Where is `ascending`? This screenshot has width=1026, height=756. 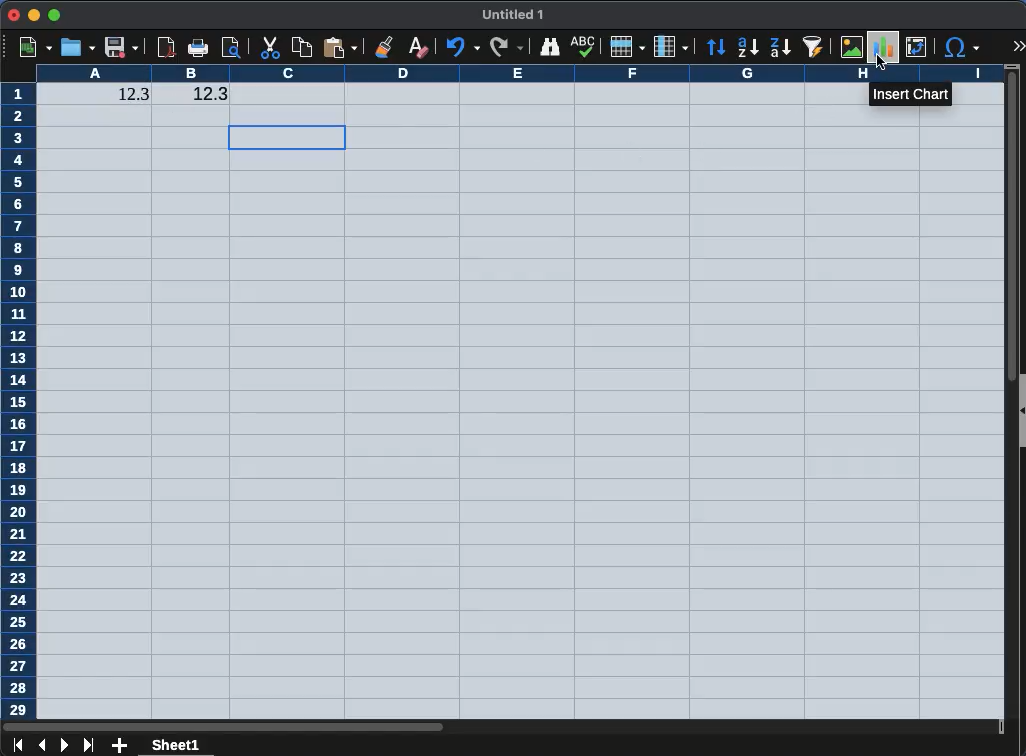 ascending is located at coordinates (748, 47).